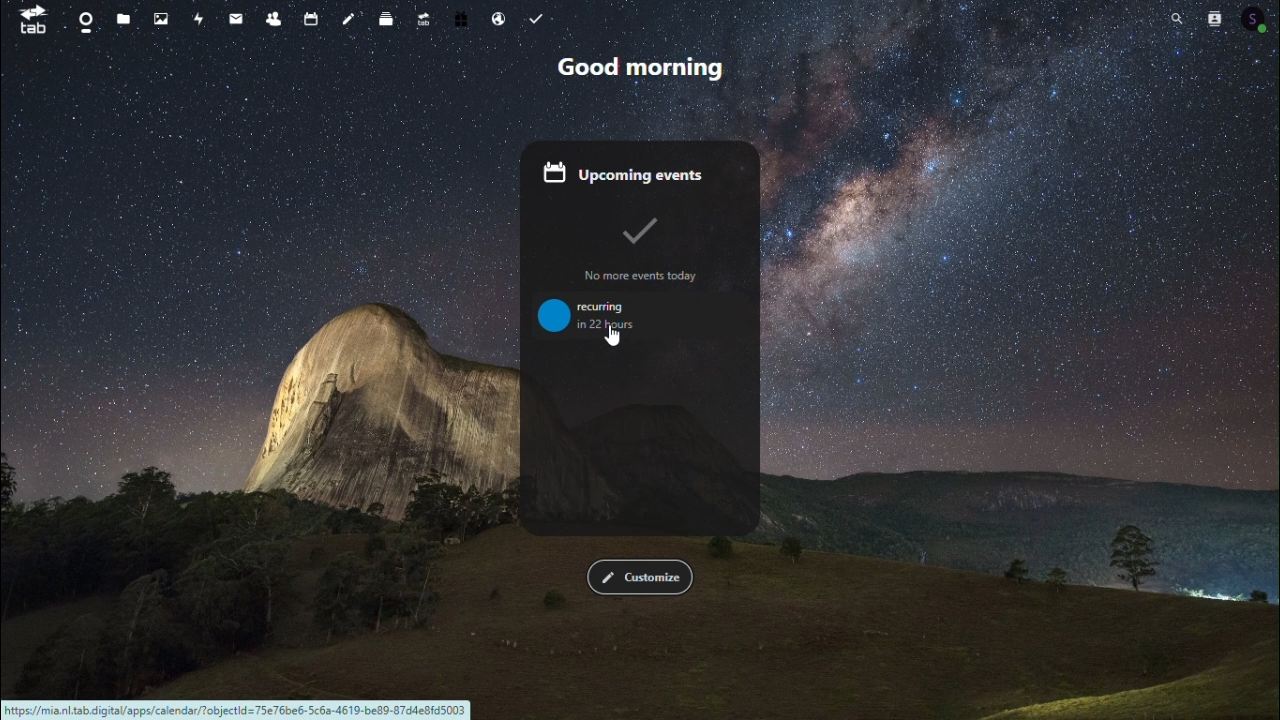 The width and height of the screenshot is (1280, 720). Describe the element at coordinates (642, 175) in the screenshot. I see `Upcoming events` at that location.